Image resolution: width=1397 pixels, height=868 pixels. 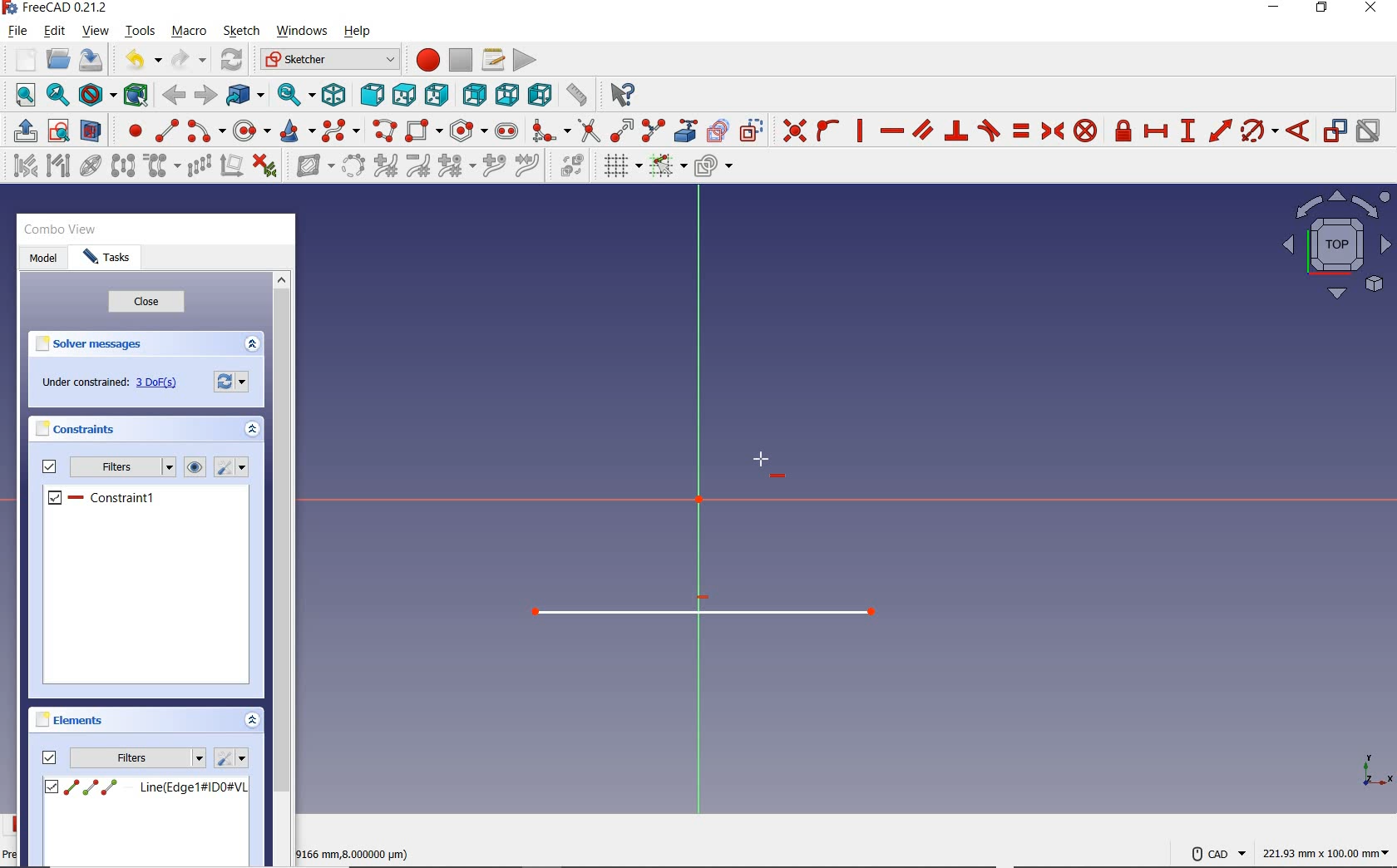 What do you see at coordinates (353, 165) in the screenshot?
I see `CONVERT GEOMETRY TO B-SPLINE` at bounding box center [353, 165].